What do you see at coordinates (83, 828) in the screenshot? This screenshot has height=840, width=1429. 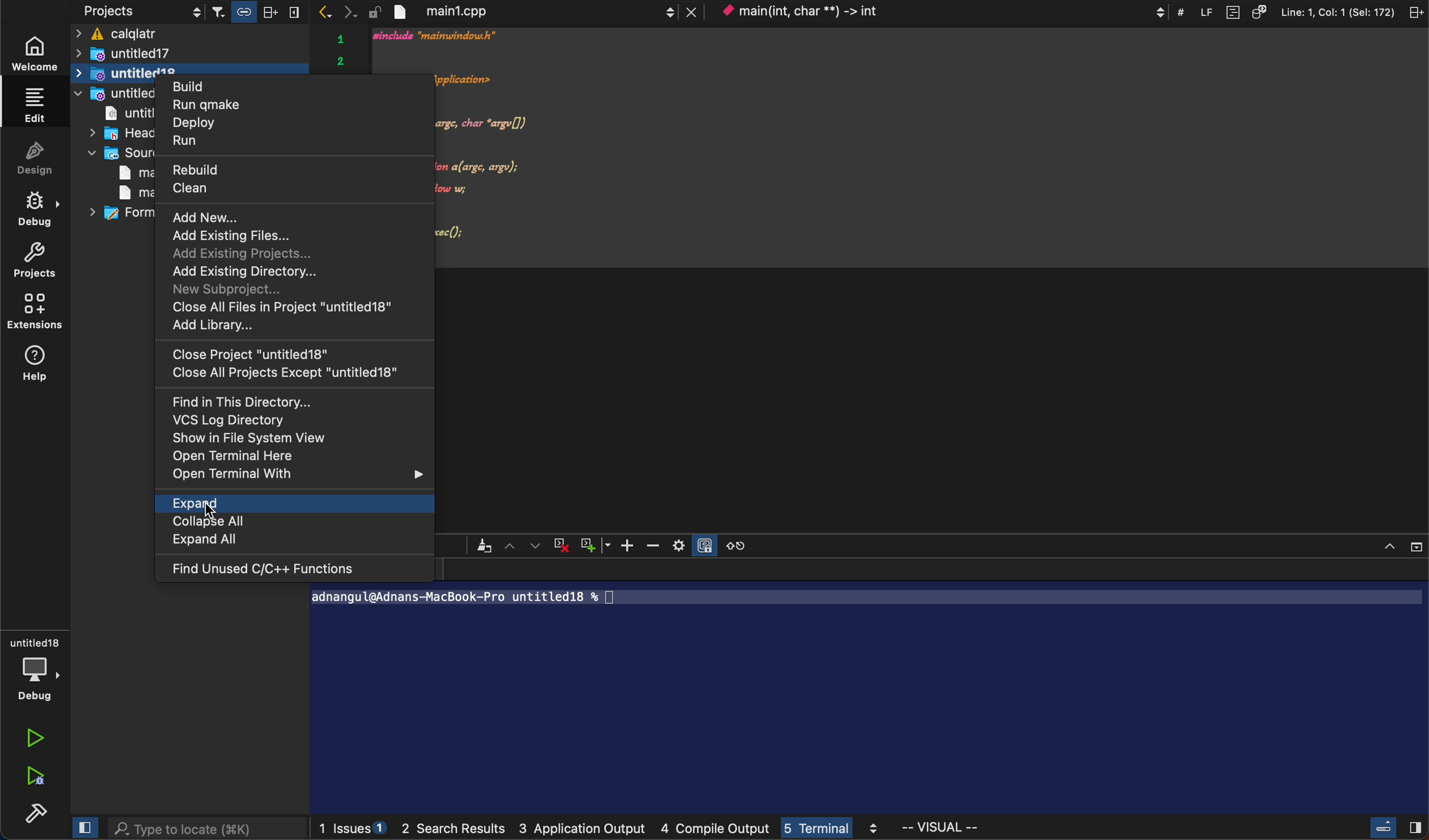 I see `close slide bar` at bounding box center [83, 828].